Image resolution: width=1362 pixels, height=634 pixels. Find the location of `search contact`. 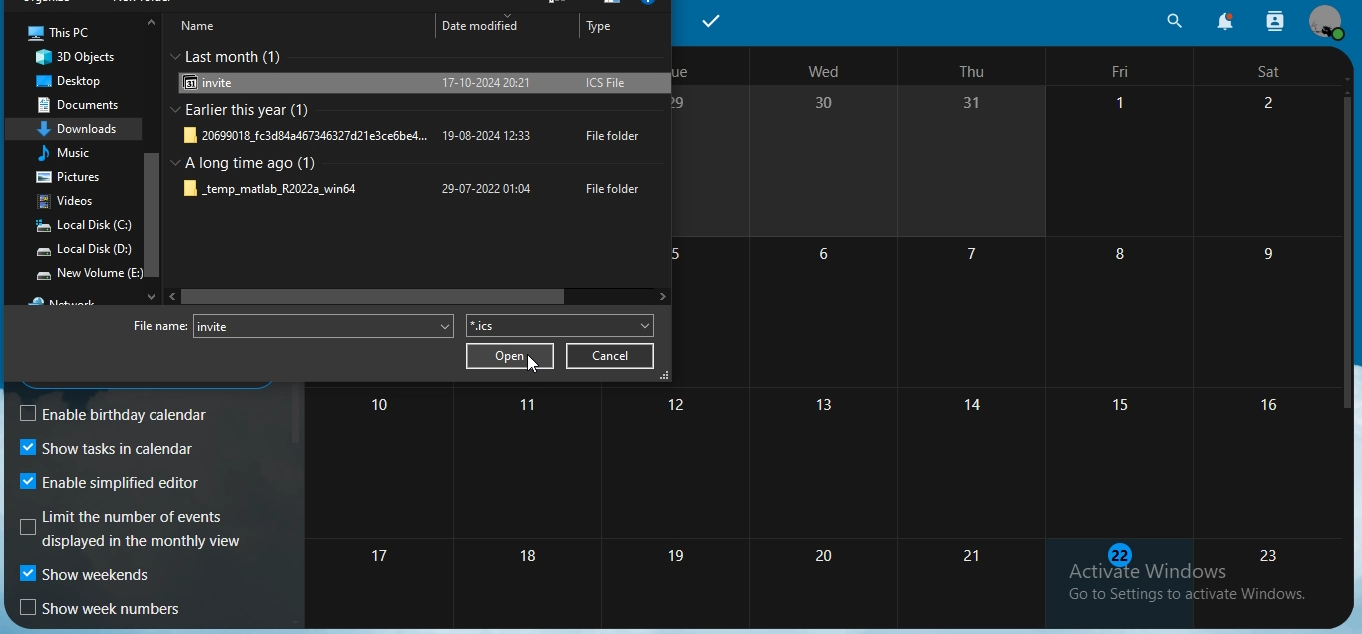

search contact is located at coordinates (1274, 19).